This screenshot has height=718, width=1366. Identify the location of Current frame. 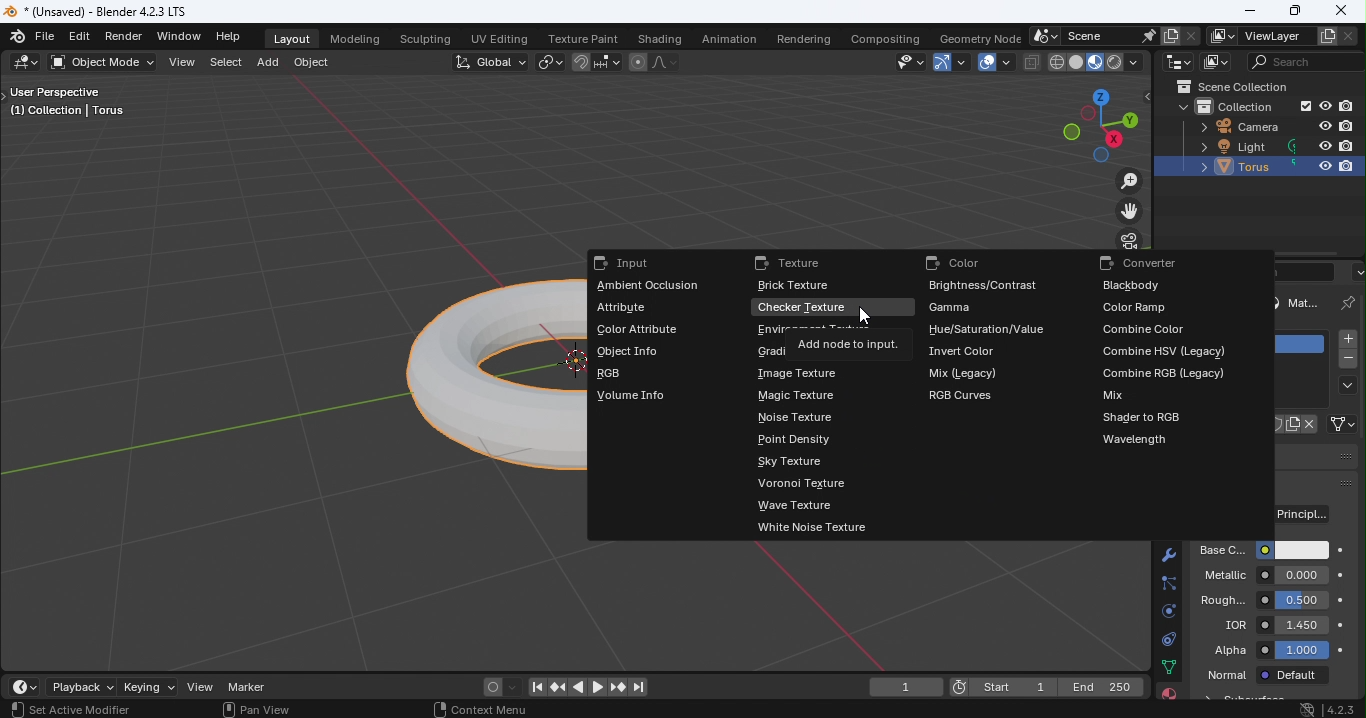
(961, 688).